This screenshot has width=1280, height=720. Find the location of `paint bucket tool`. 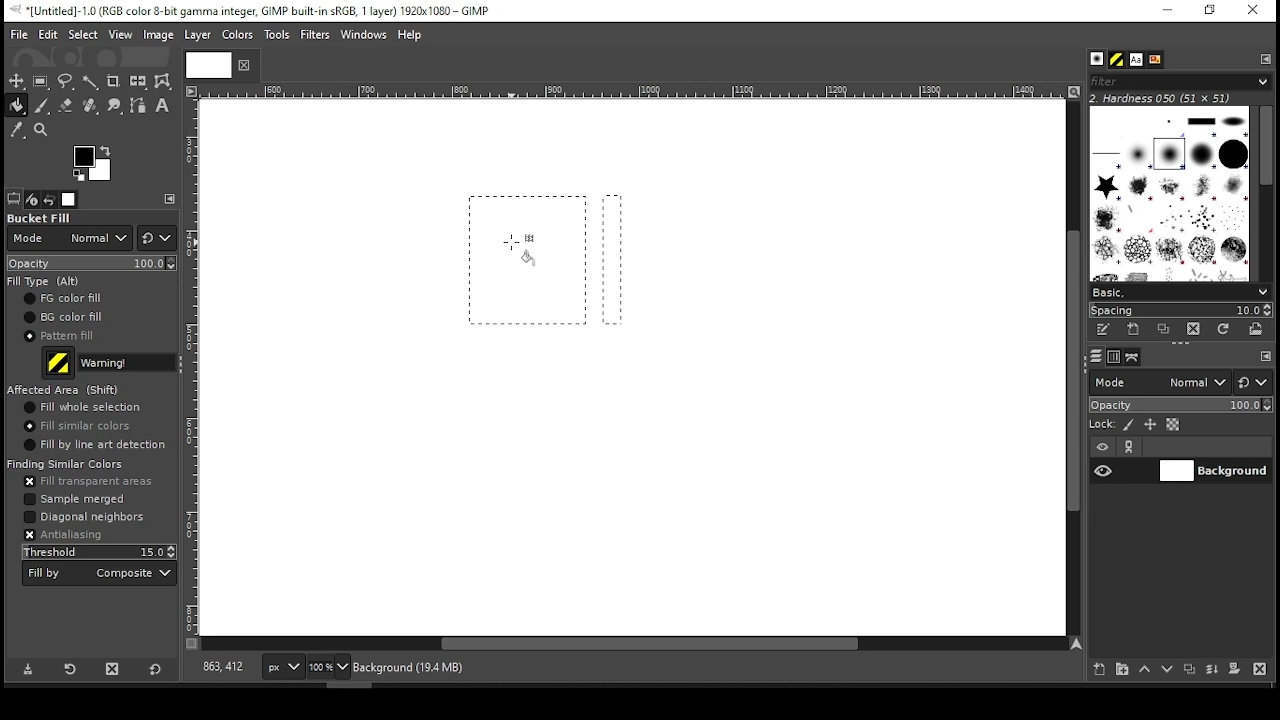

paint bucket tool is located at coordinates (18, 105).